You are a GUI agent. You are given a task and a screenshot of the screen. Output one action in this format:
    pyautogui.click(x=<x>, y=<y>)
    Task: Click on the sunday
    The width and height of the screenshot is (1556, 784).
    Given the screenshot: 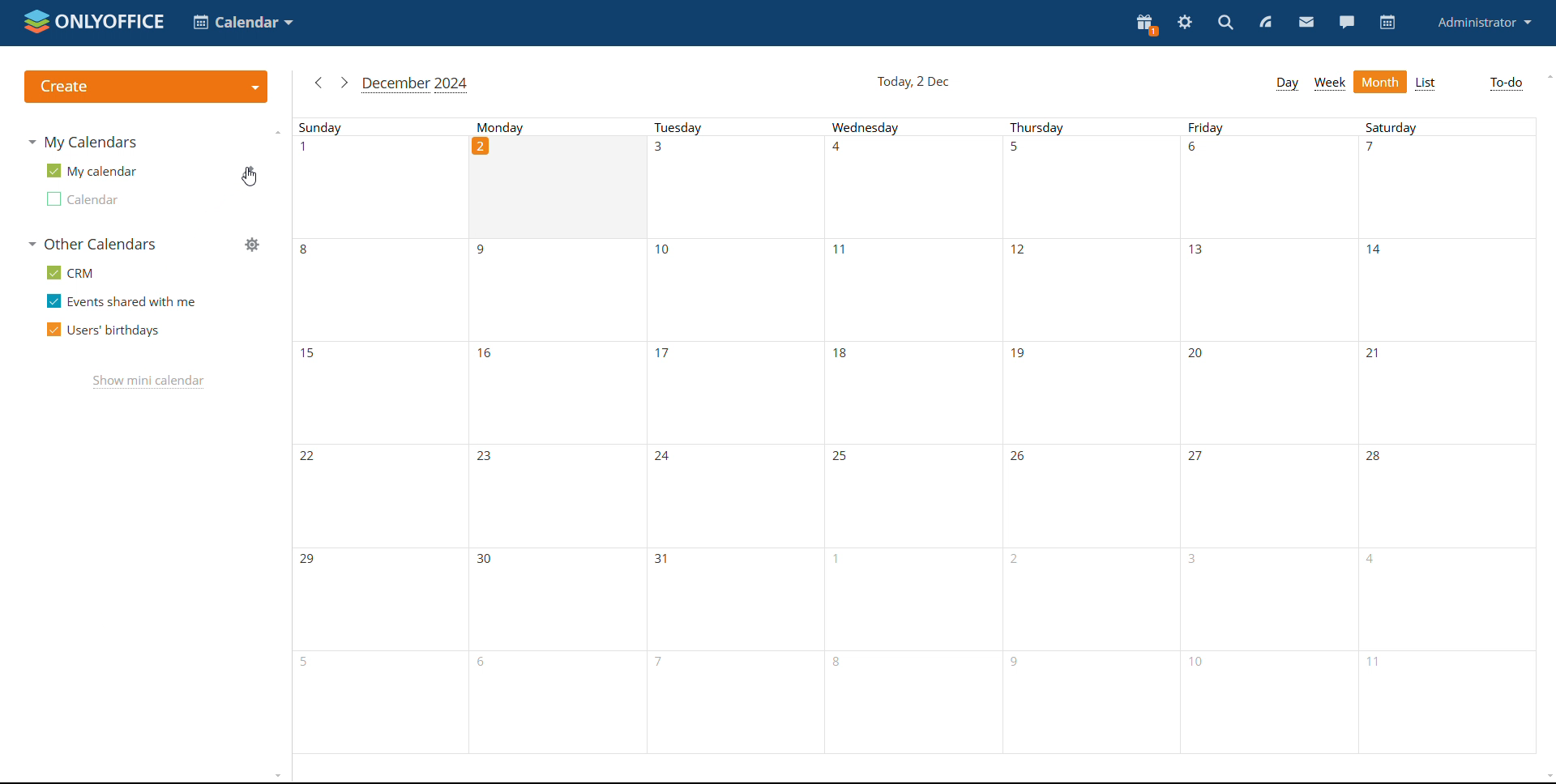 What is the action you would take?
    pyautogui.click(x=364, y=127)
    